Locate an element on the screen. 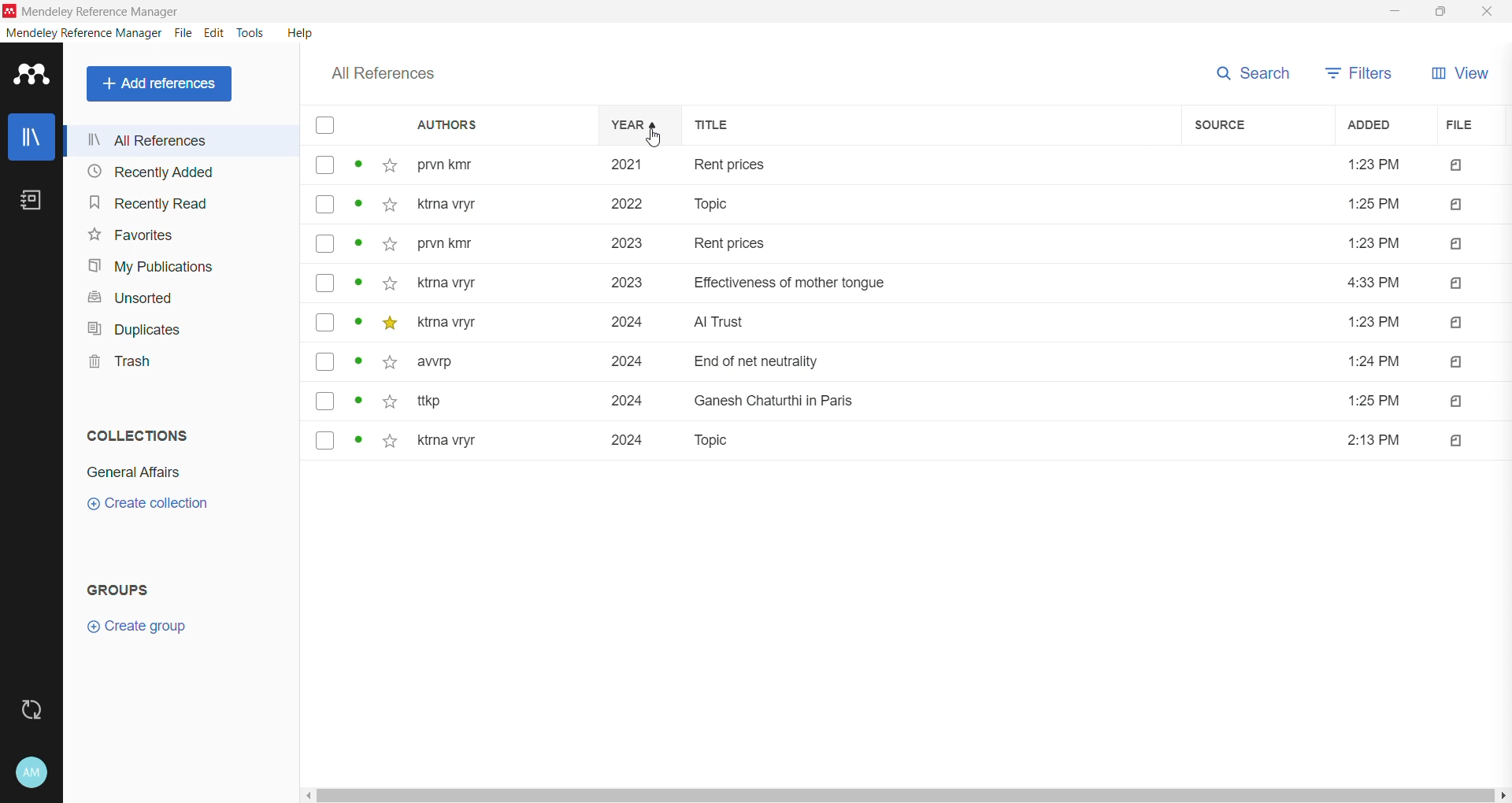 This screenshot has width=1512, height=803. 2024 is located at coordinates (630, 323).